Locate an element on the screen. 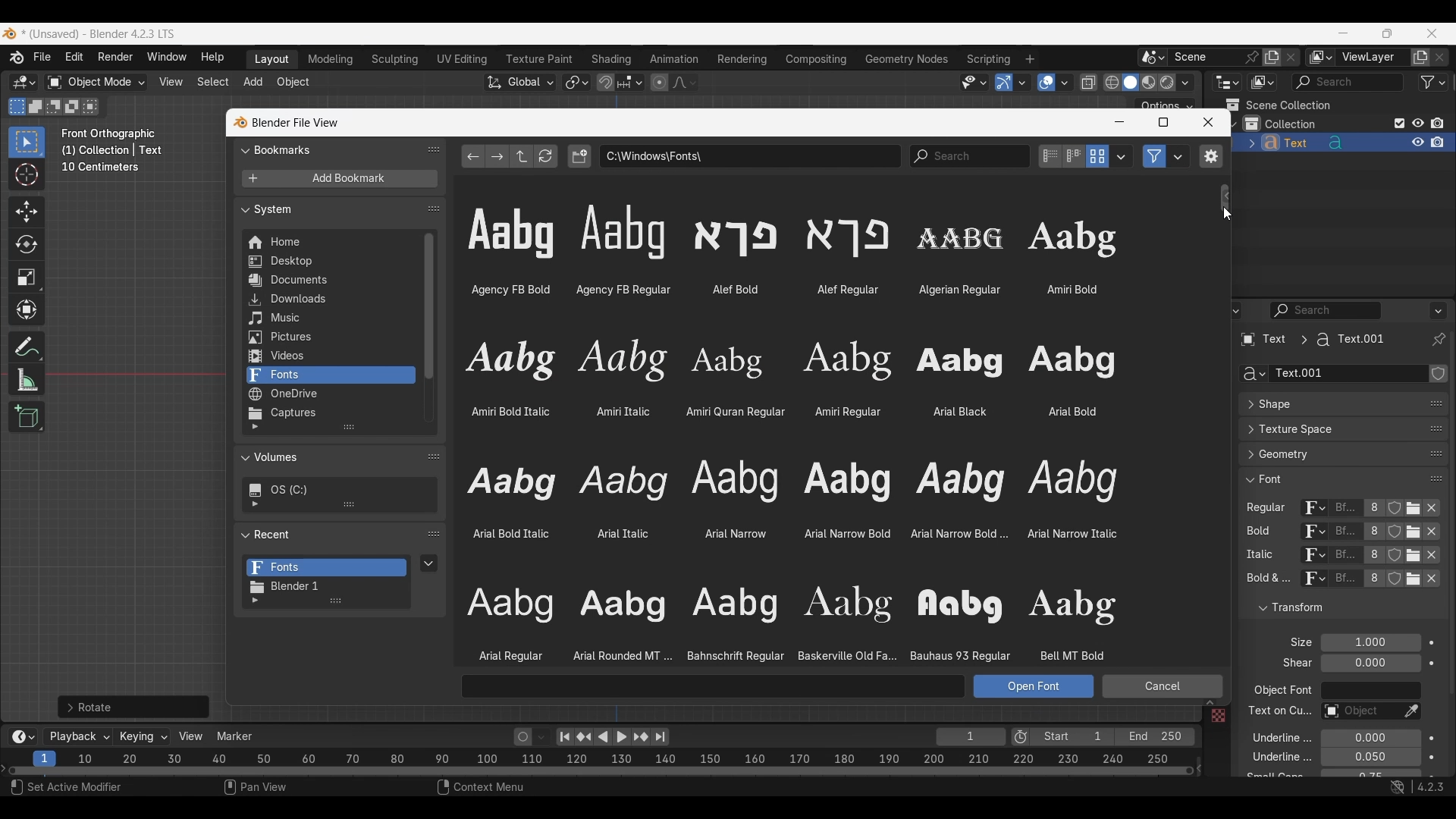  Cursor selecting vertical slide bar is located at coordinates (1227, 215).